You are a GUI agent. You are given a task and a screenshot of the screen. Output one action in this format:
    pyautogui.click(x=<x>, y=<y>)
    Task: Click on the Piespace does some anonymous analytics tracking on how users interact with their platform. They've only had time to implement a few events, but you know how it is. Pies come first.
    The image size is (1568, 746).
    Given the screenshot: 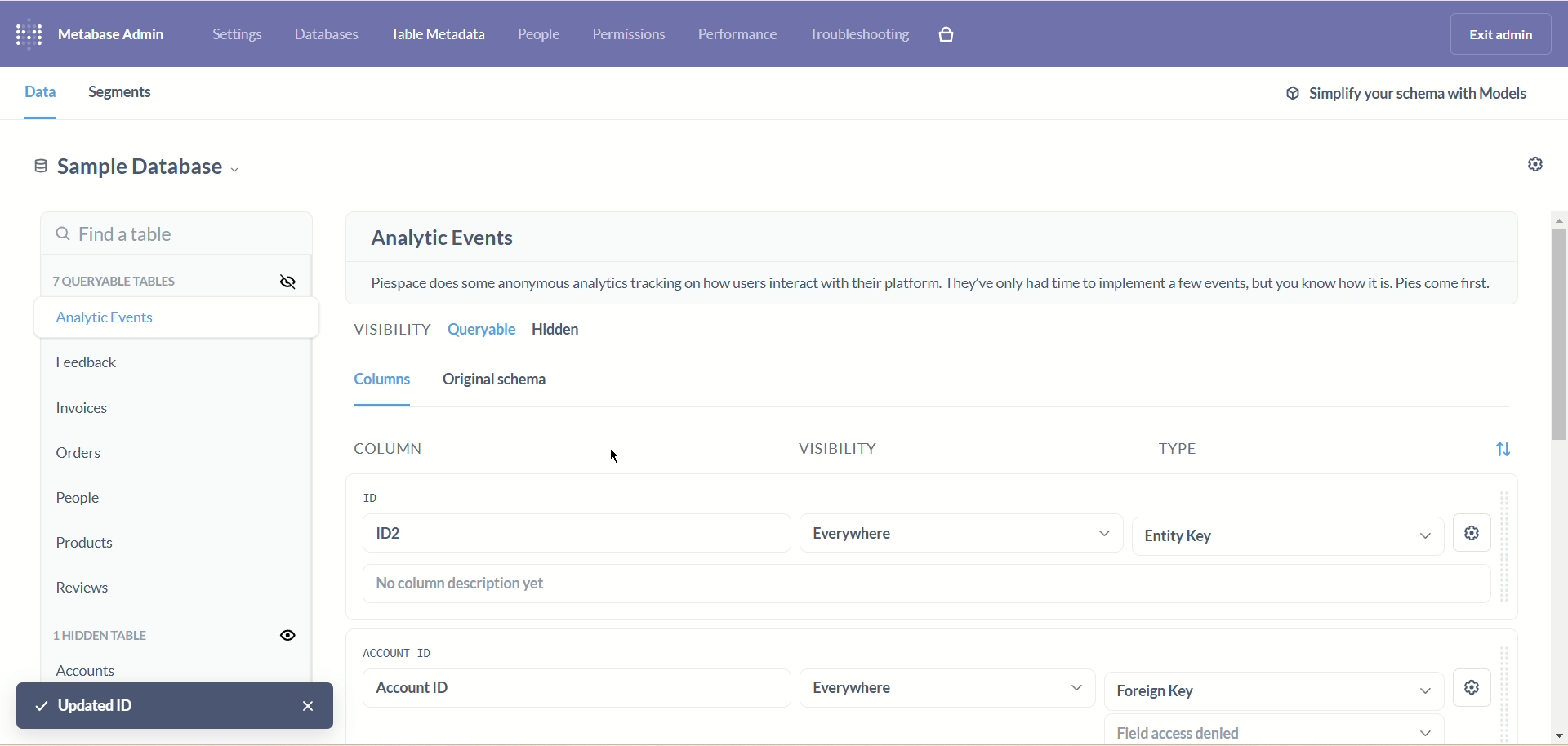 What is the action you would take?
    pyautogui.click(x=935, y=280)
    